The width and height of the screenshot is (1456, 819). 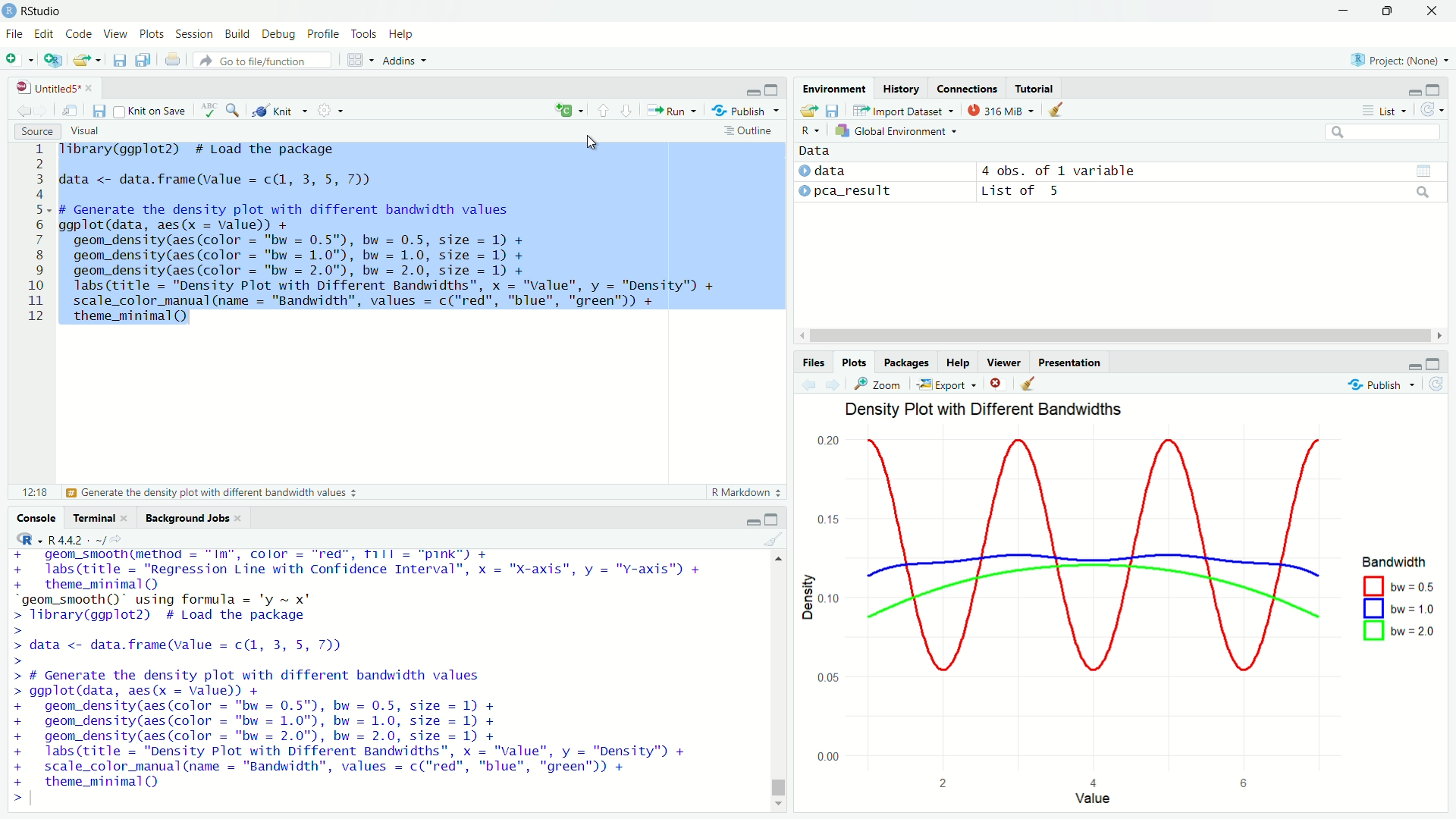 I want to click on maximize, so click(x=1433, y=89).